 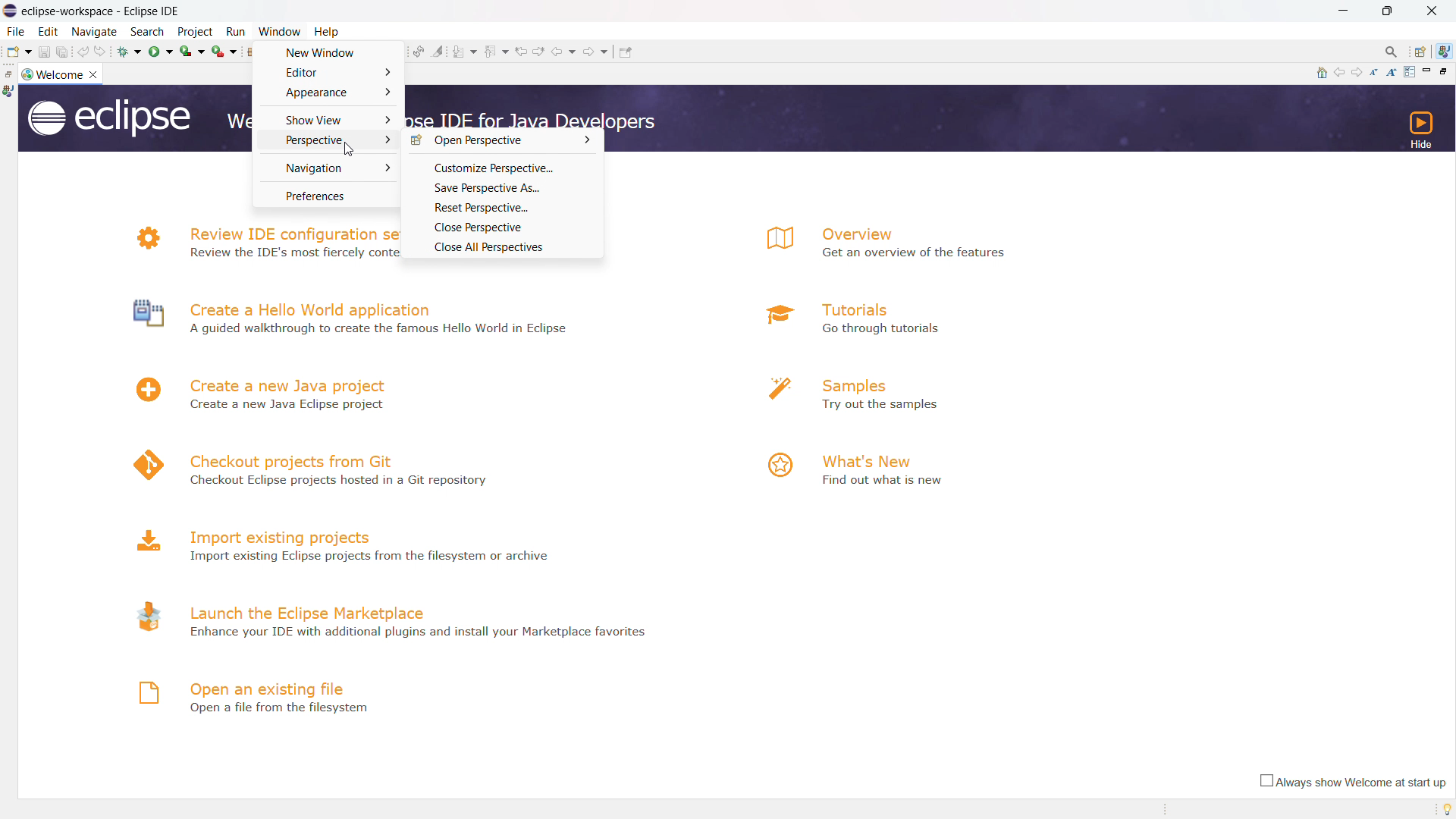 I want to click on launch the eclipse marketplace, so click(x=308, y=610).